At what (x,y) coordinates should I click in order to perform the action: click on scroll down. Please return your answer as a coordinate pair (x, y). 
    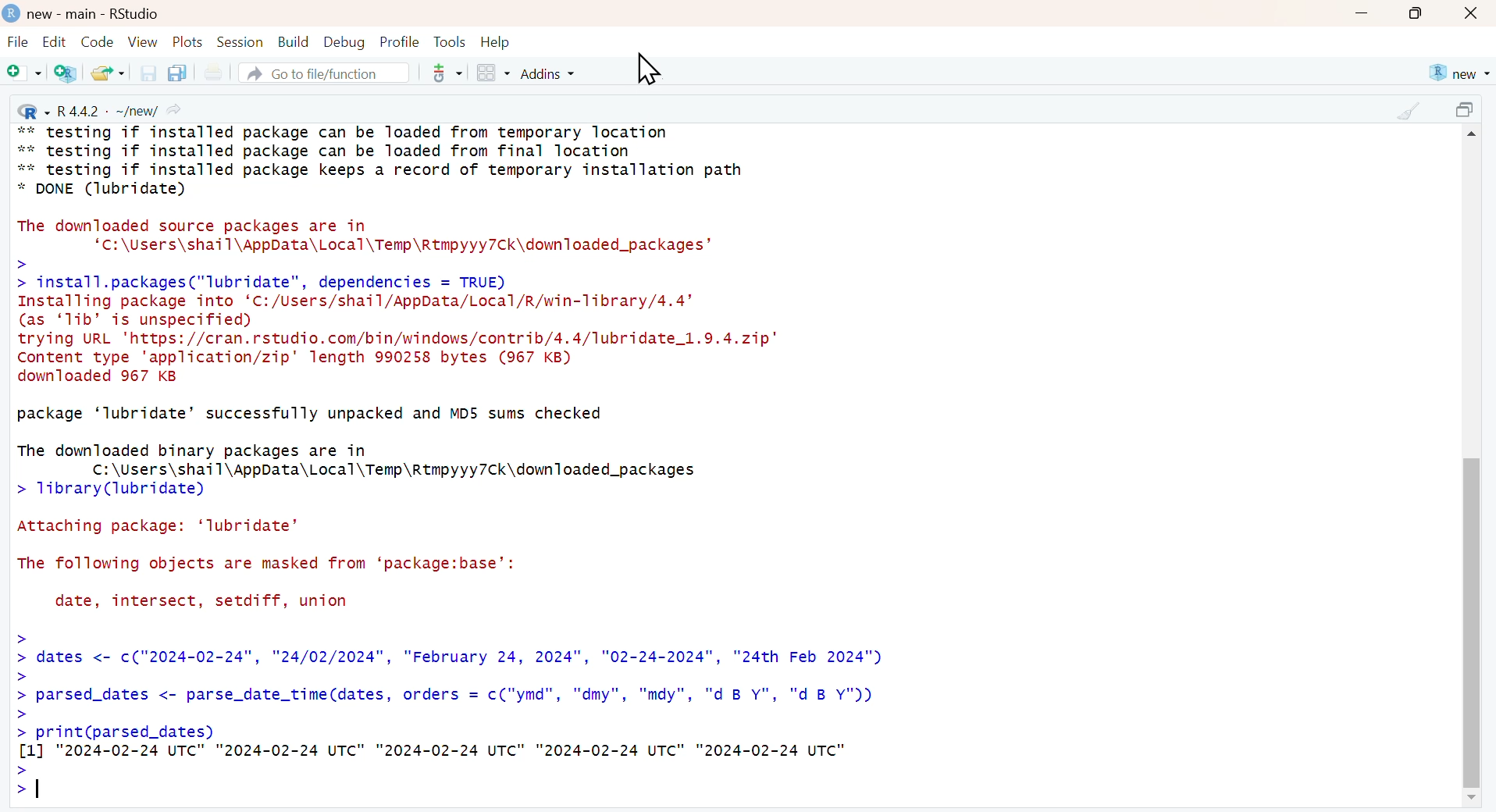
    Looking at the image, I should click on (1469, 799).